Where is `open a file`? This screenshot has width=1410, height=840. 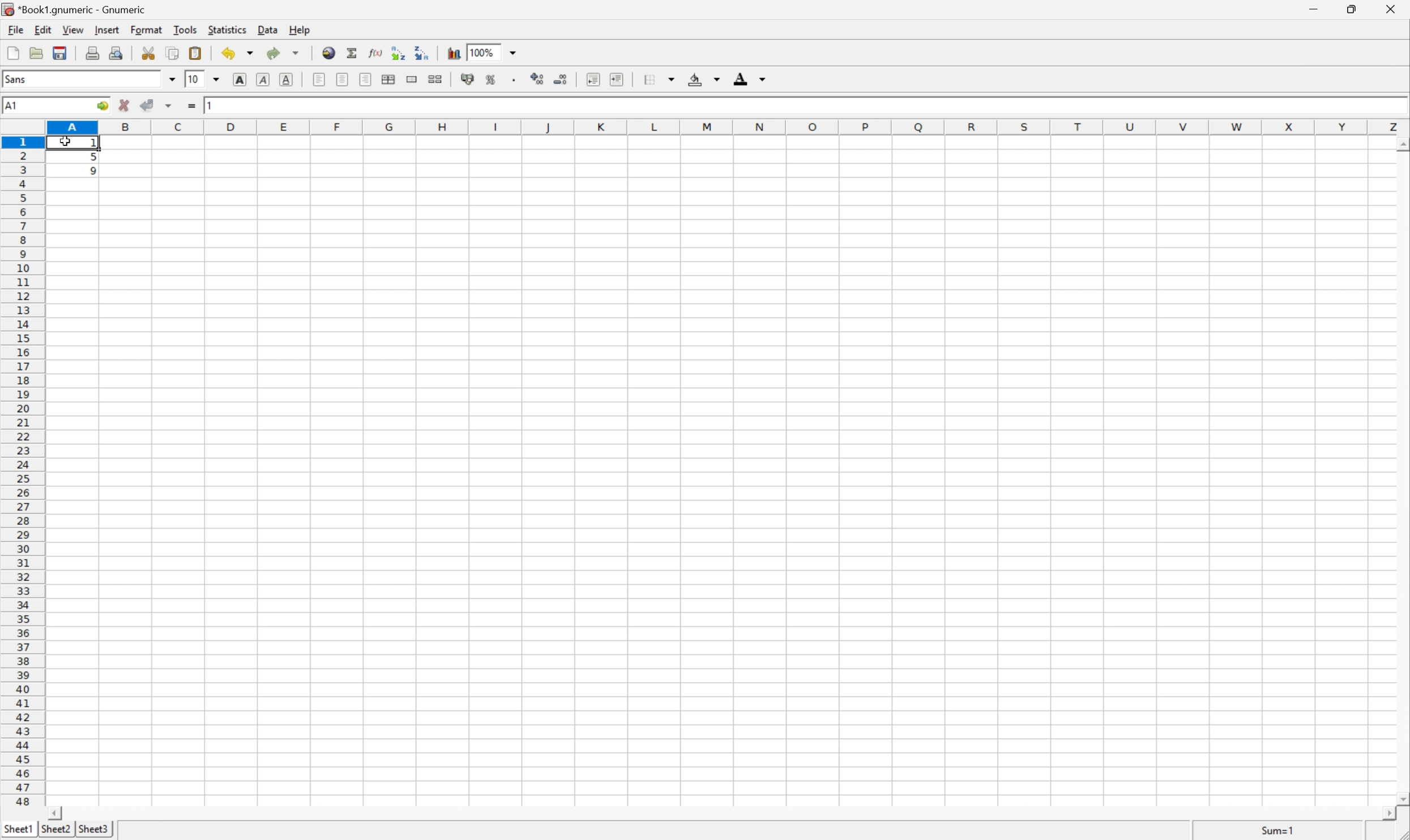
open a file is located at coordinates (35, 51).